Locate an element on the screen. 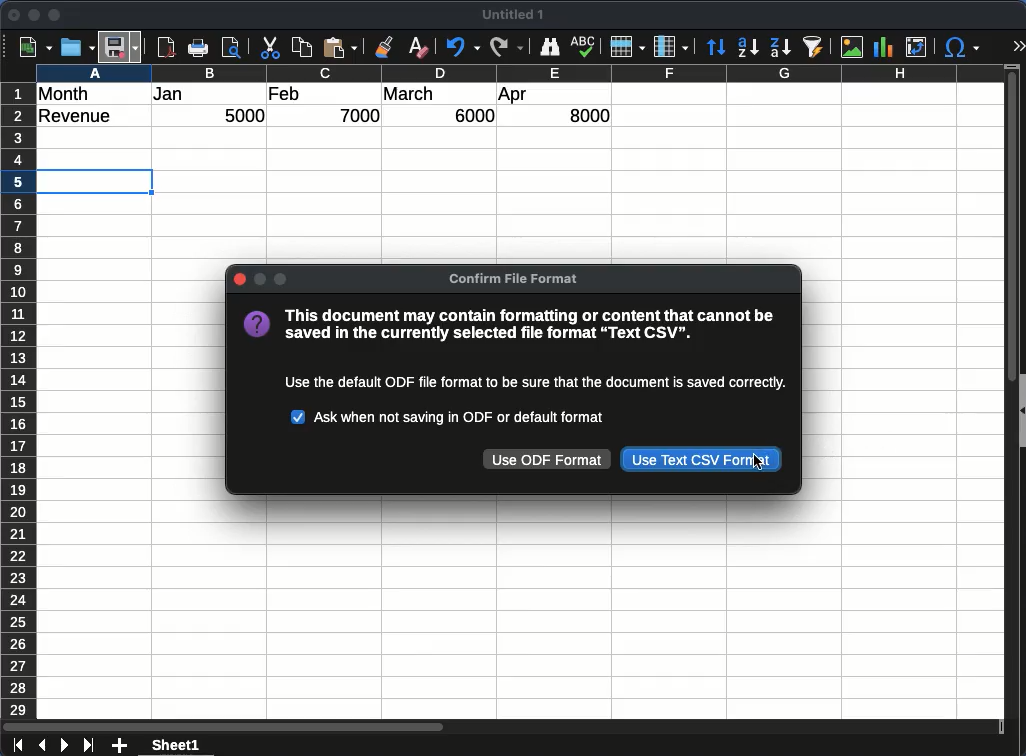 This screenshot has height=756, width=1026. apr is located at coordinates (514, 96).